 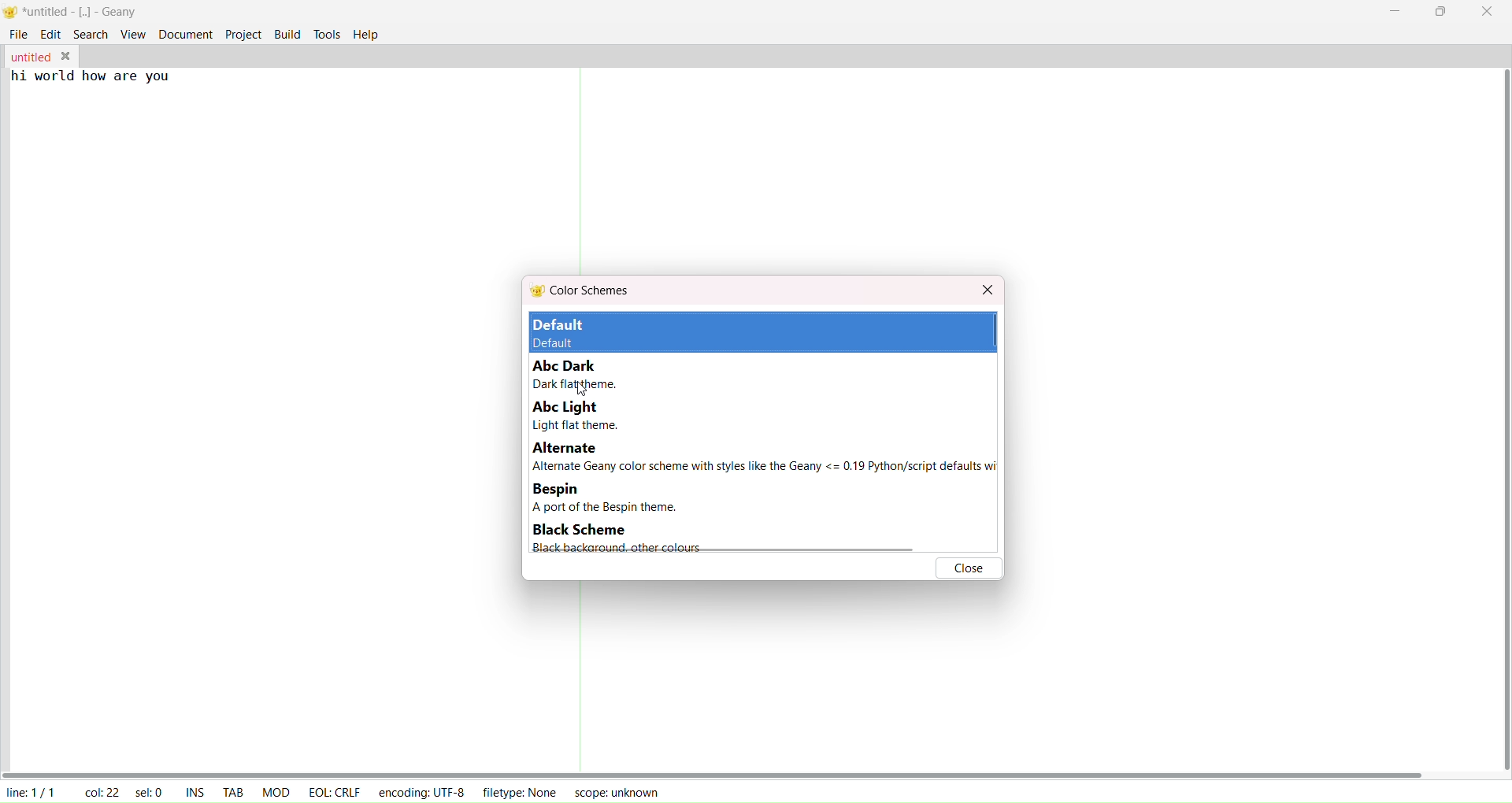 What do you see at coordinates (15, 35) in the screenshot?
I see `file` at bounding box center [15, 35].